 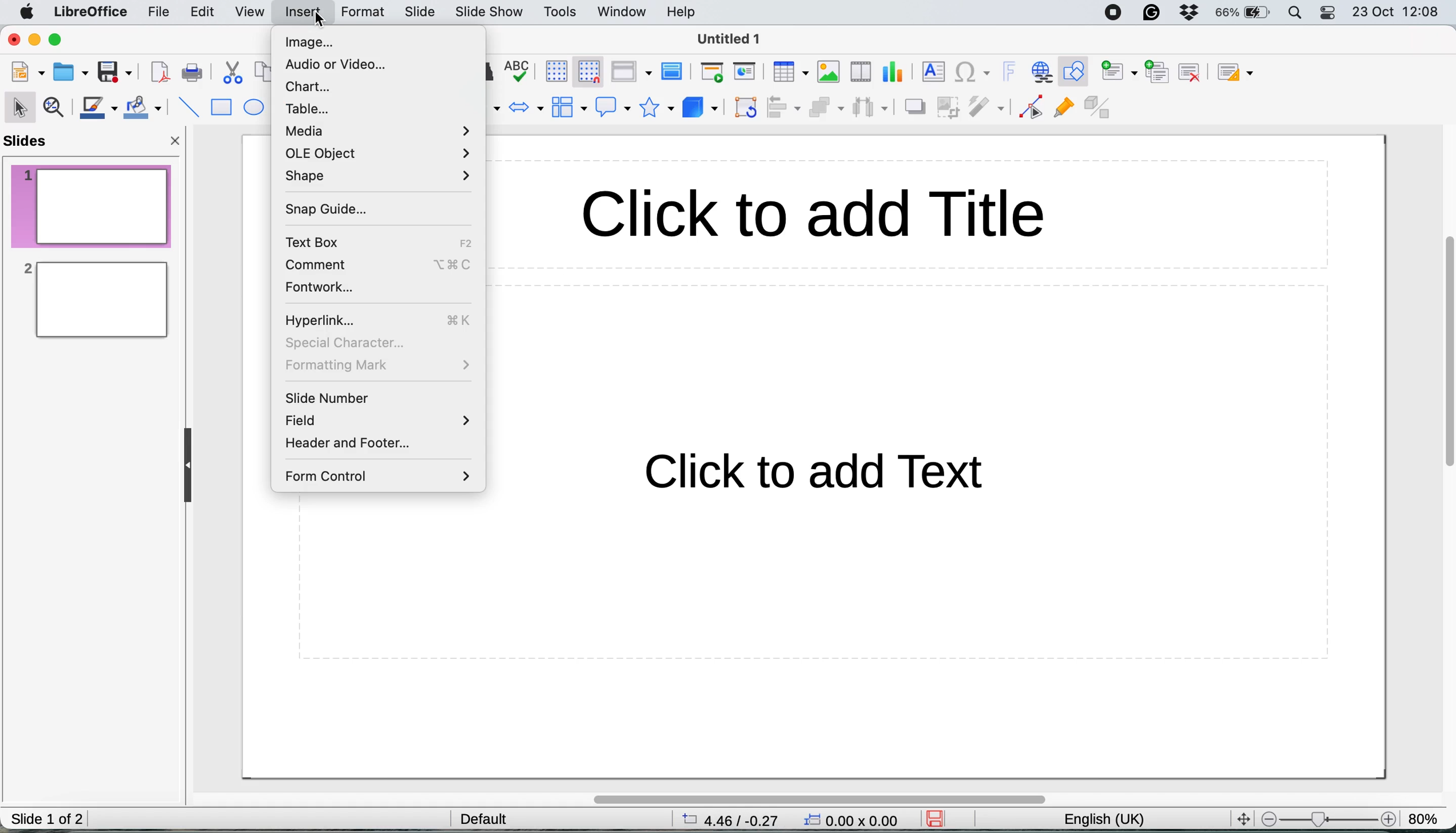 I want to click on special character, so click(x=344, y=343).